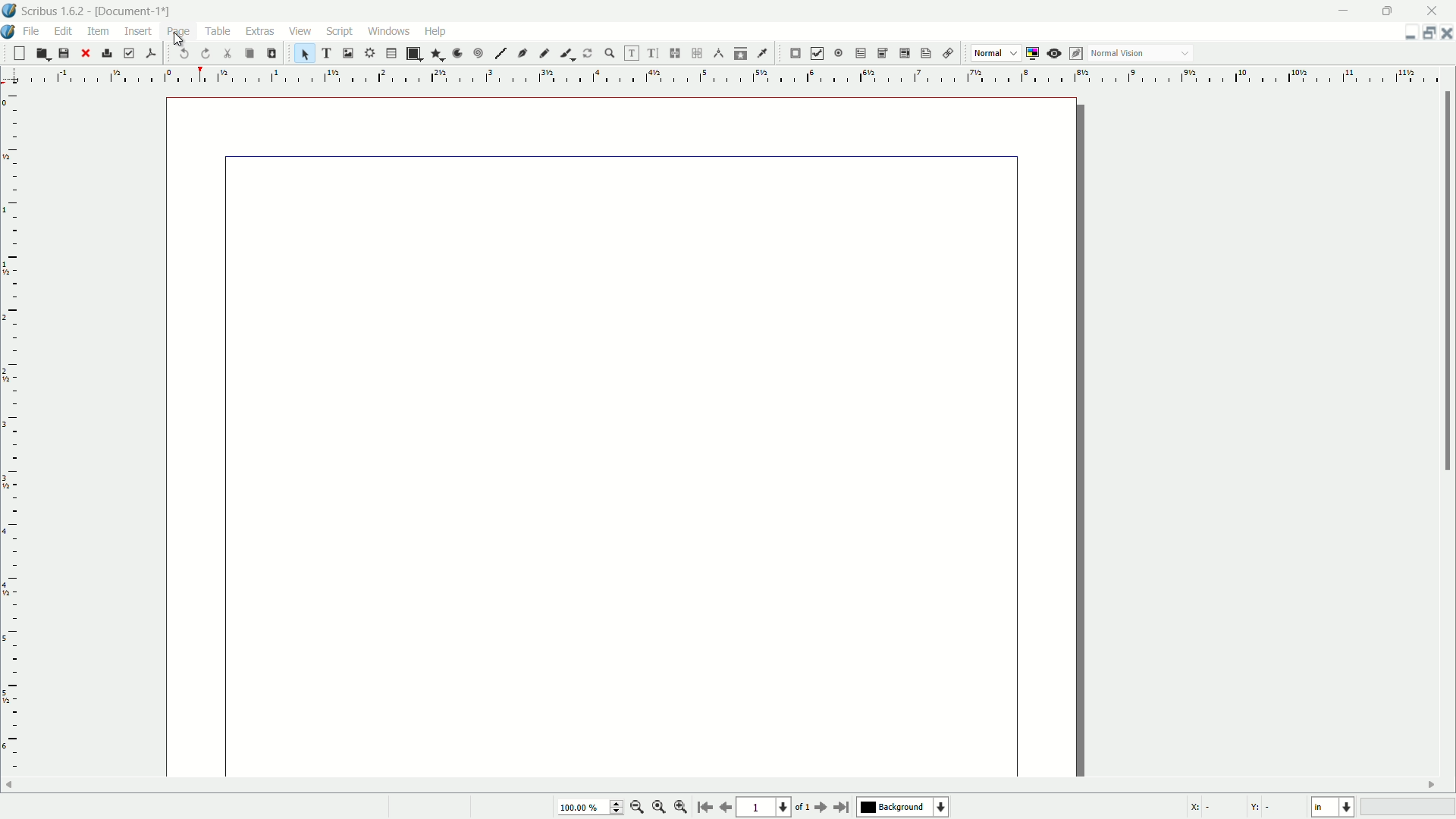 This screenshot has height=819, width=1456. I want to click on zoom in or out, so click(610, 52).